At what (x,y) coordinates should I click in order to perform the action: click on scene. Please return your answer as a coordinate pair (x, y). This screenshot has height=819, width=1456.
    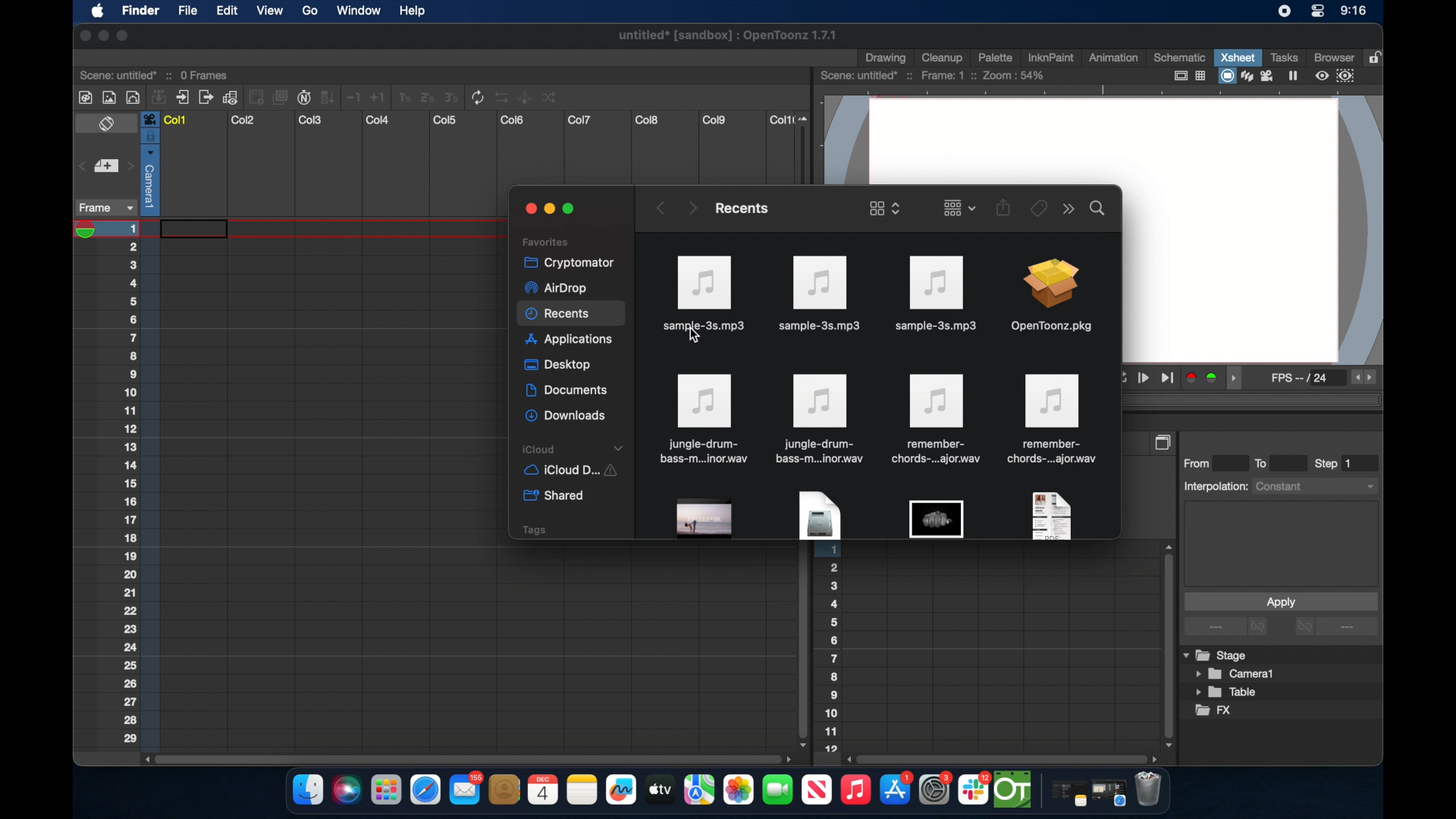
    Looking at the image, I should click on (934, 76).